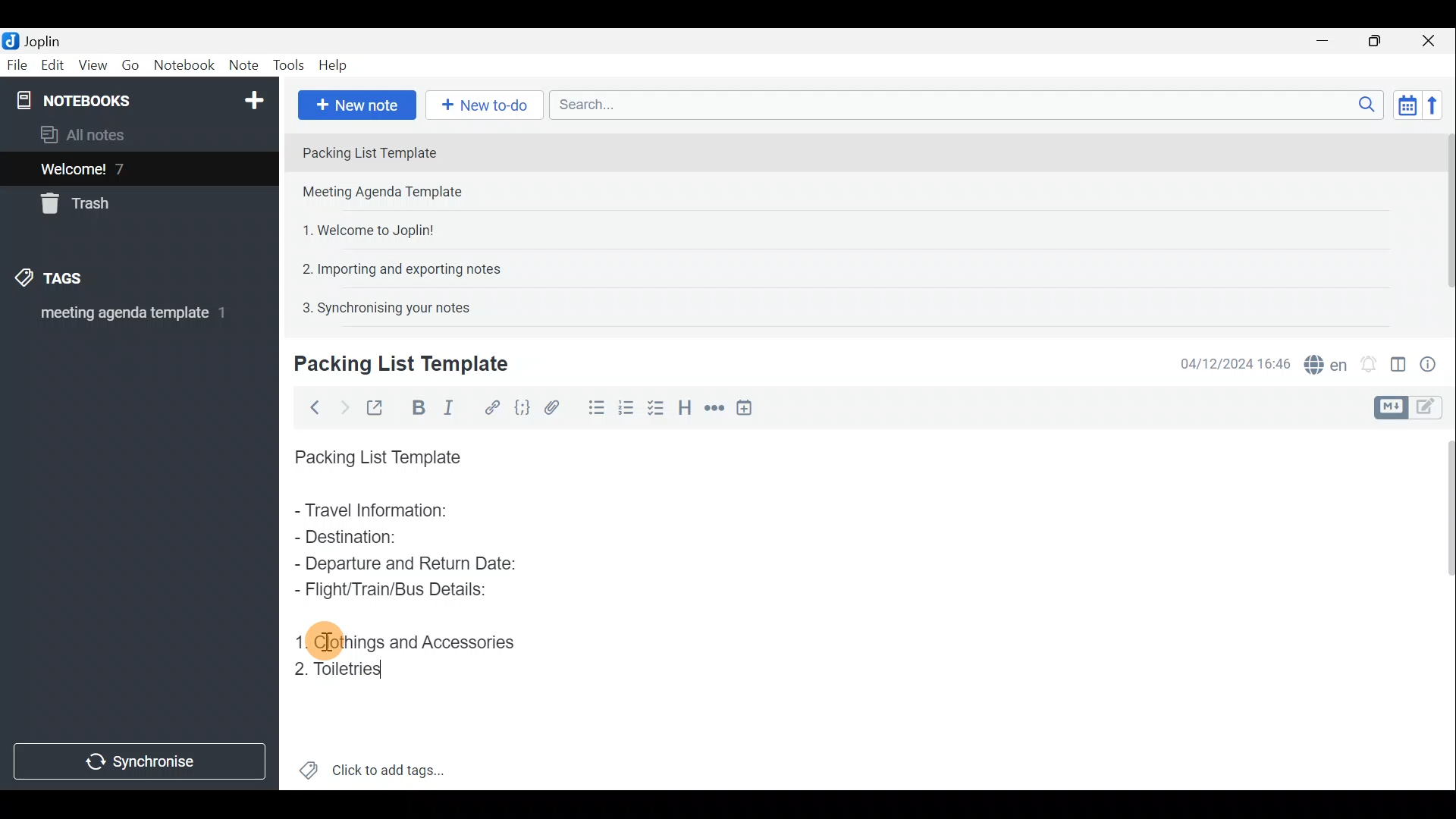  Describe the element at coordinates (552, 406) in the screenshot. I see `Attach file` at that location.